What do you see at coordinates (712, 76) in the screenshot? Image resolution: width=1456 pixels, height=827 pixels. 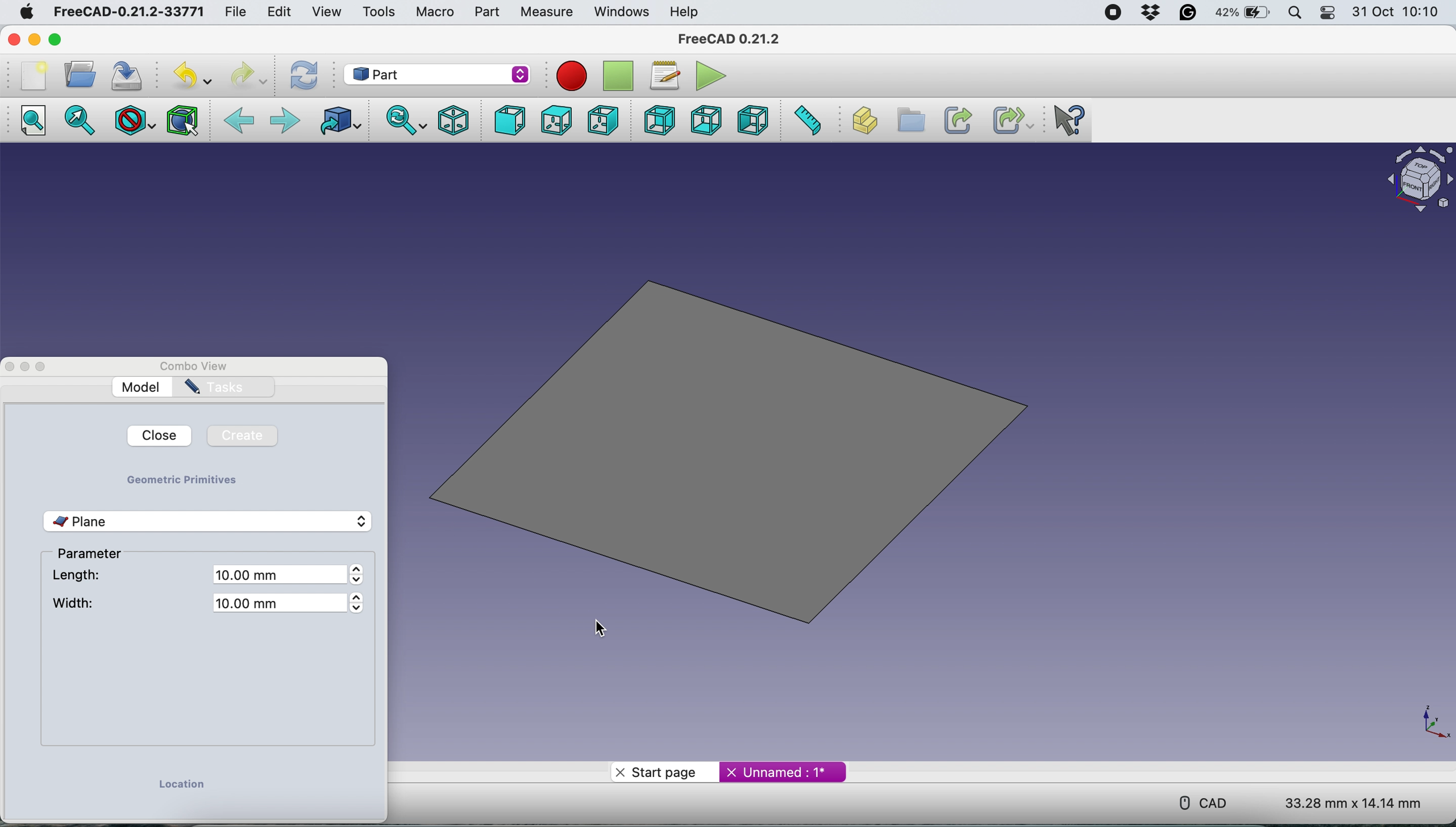 I see `Execute macros` at bounding box center [712, 76].